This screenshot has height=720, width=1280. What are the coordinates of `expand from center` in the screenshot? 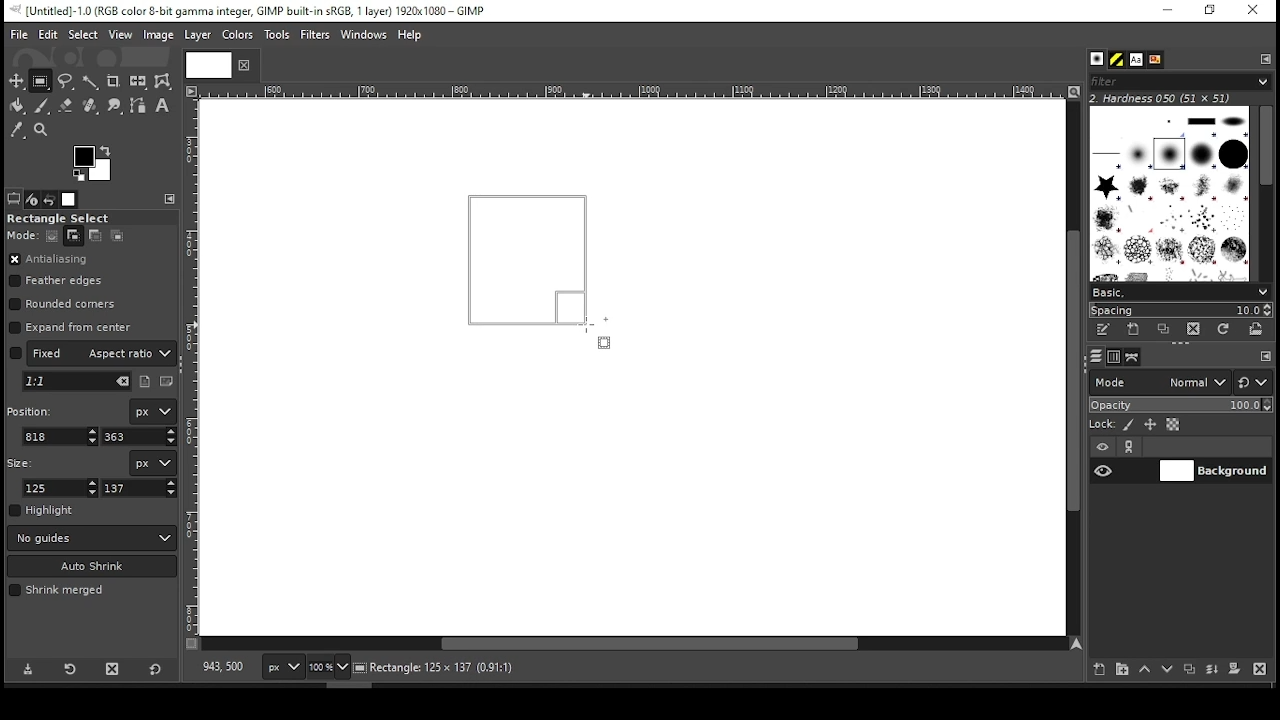 It's located at (71, 325).